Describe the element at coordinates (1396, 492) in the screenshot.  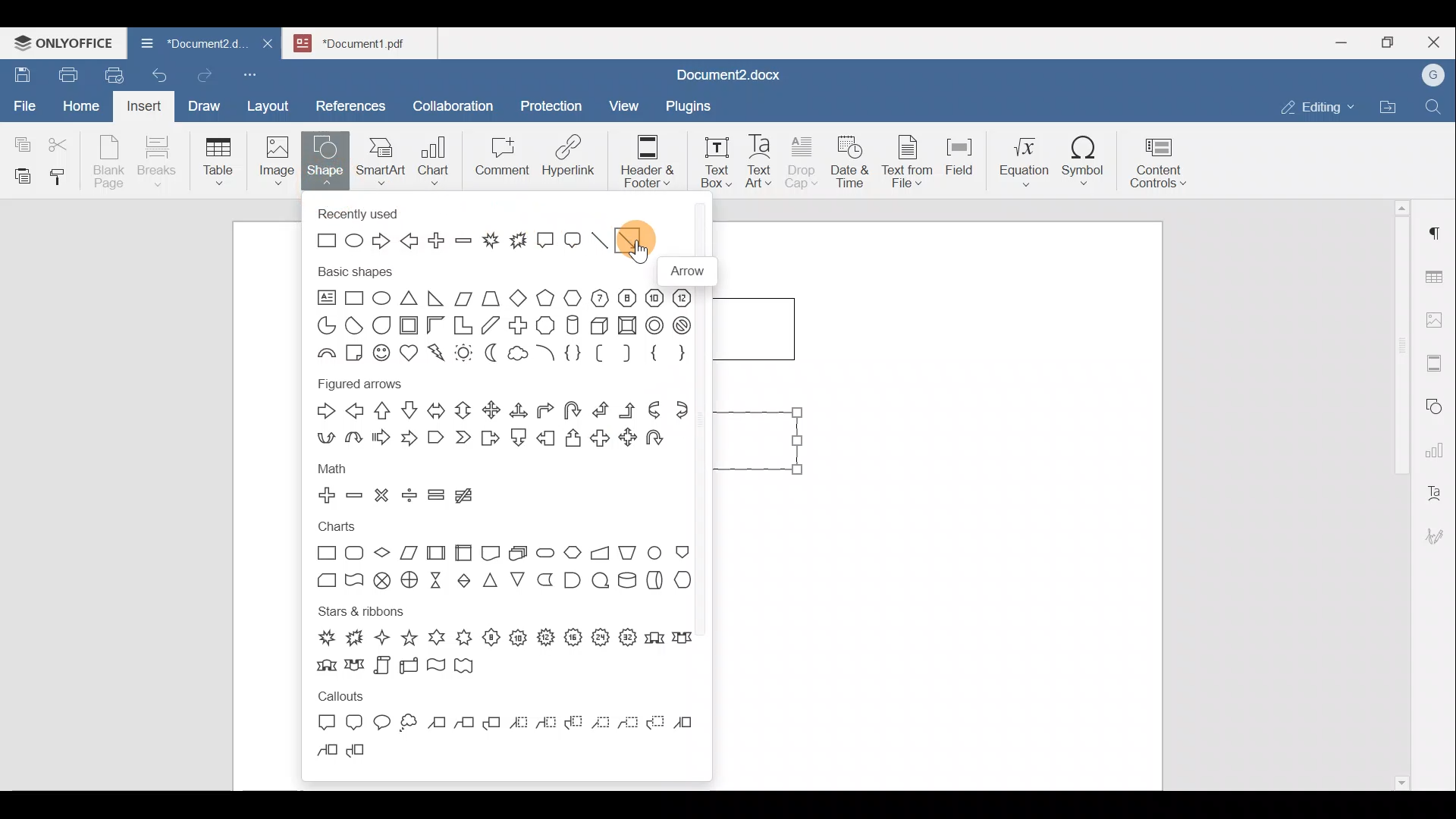
I see `Scroll bar` at that location.